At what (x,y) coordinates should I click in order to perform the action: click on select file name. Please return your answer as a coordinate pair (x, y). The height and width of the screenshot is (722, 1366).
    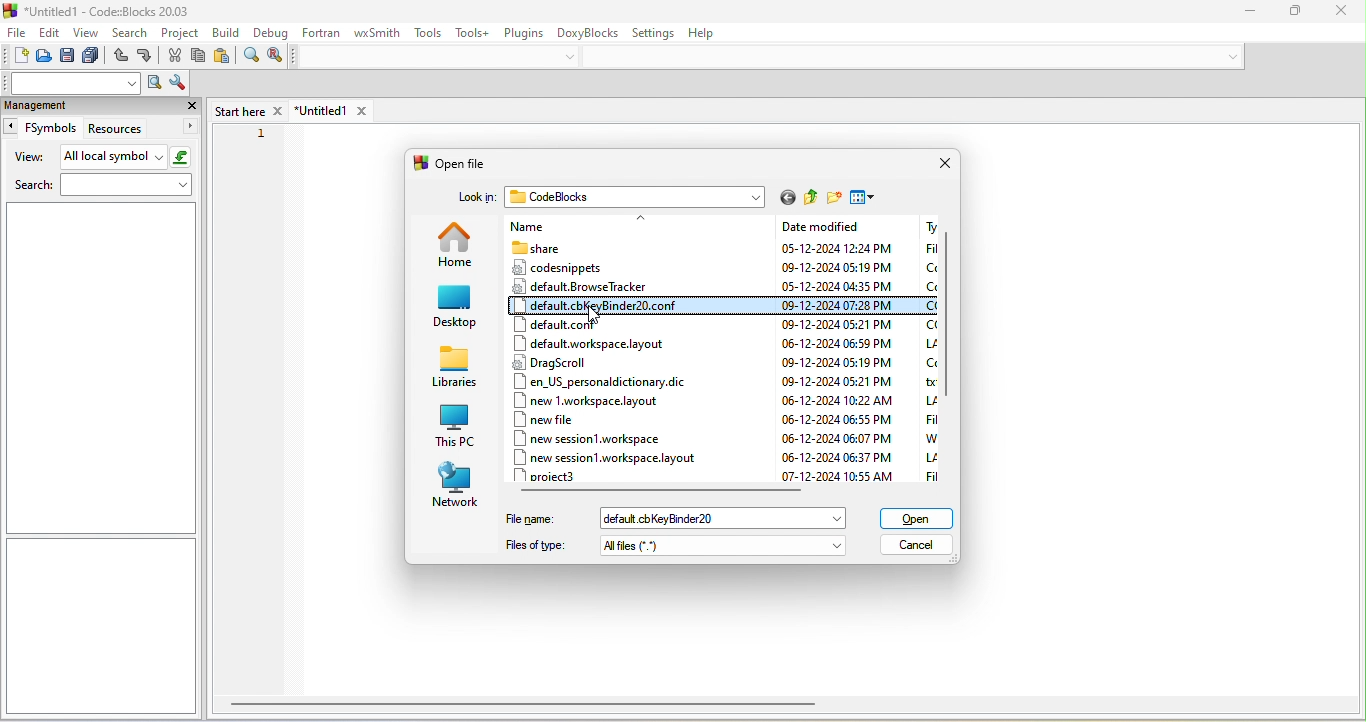
    Looking at the image, I should click on (660, 516).